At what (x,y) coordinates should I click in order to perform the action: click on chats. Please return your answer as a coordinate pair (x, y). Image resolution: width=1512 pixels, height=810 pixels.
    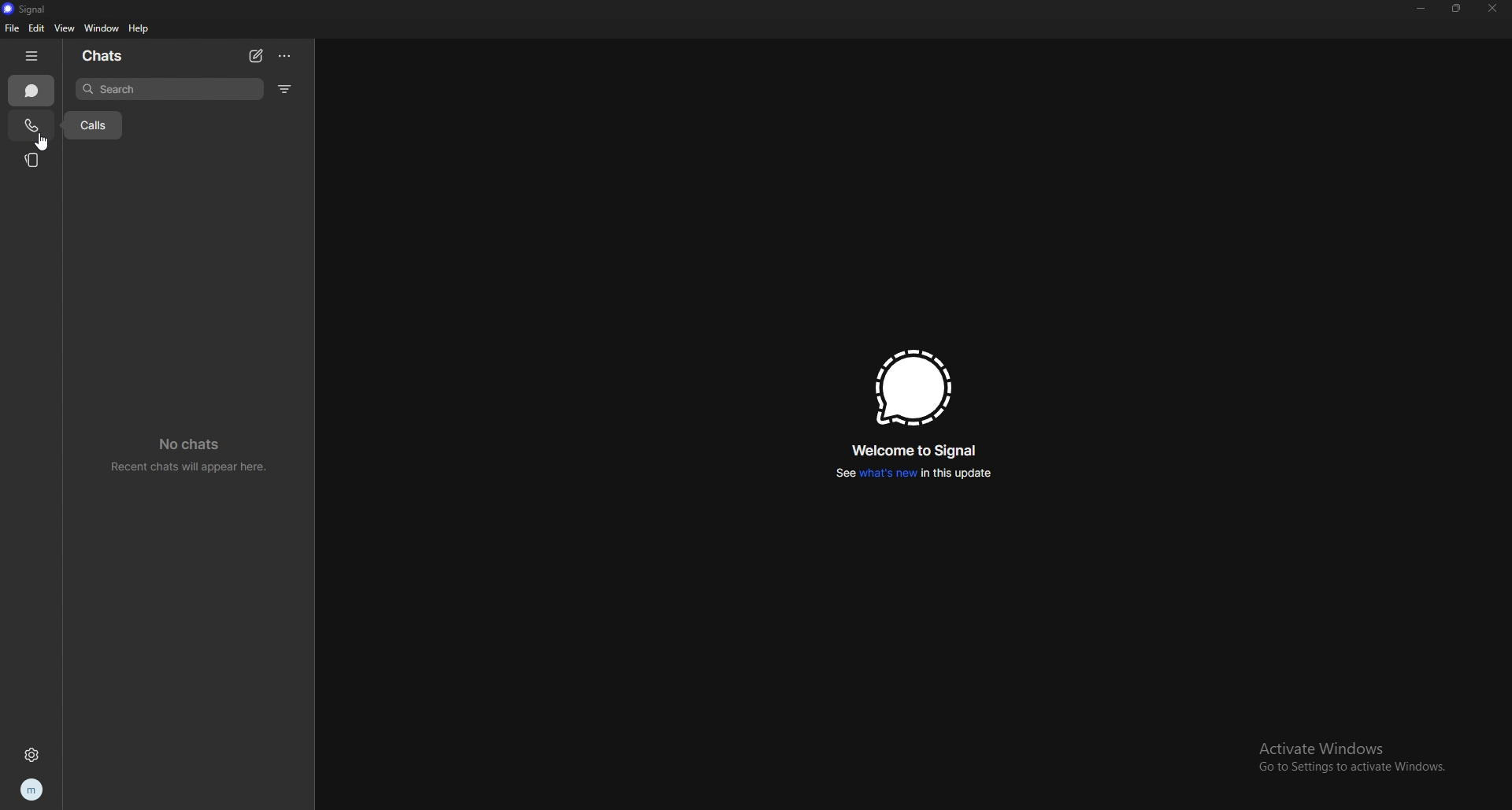
    Looking at the image, I should click on (113, 57).